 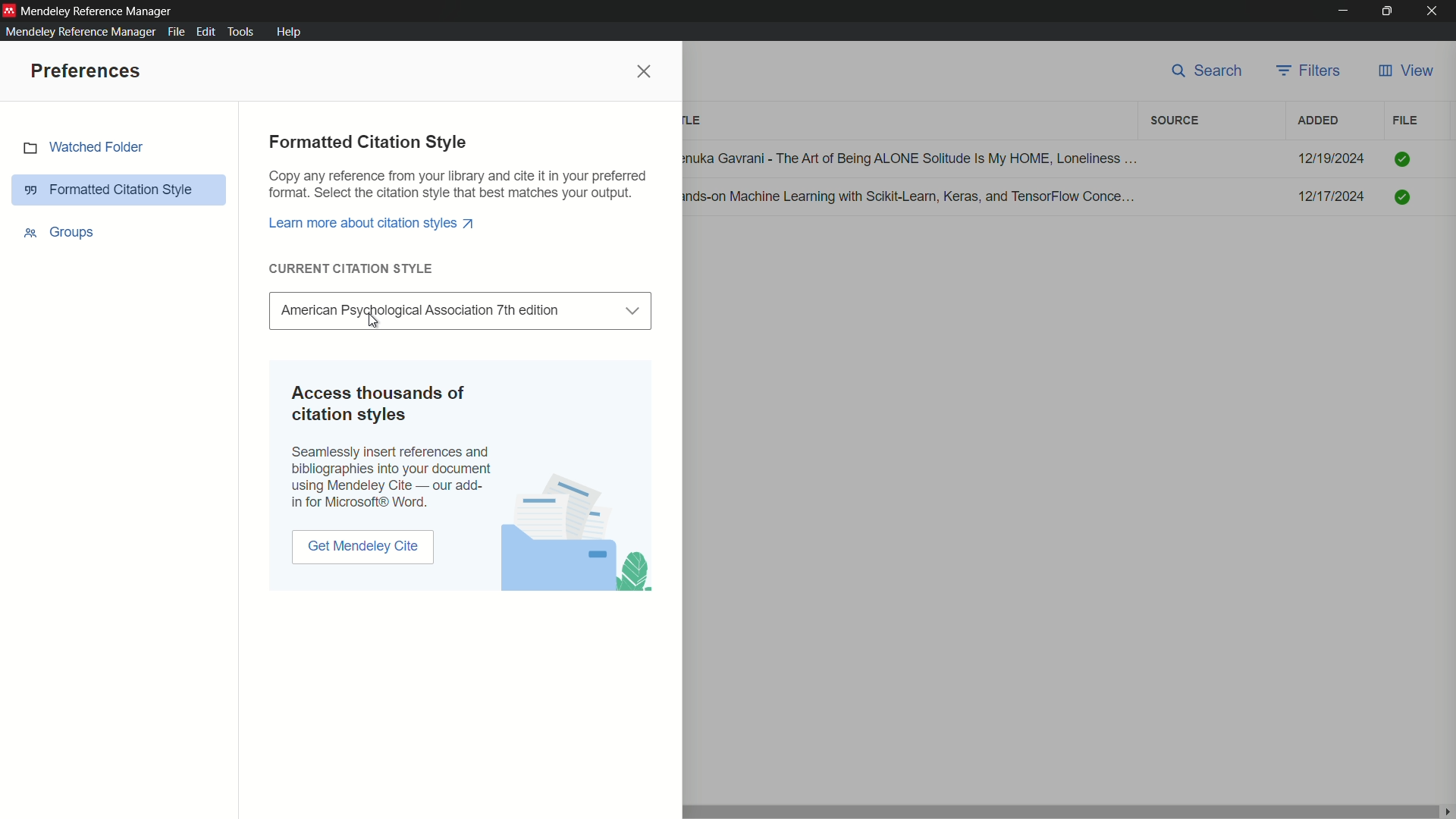 What do you see at coordinates (1402, 195) in the screenshot?
I see `Checked` at bounding box center [1402, 195].